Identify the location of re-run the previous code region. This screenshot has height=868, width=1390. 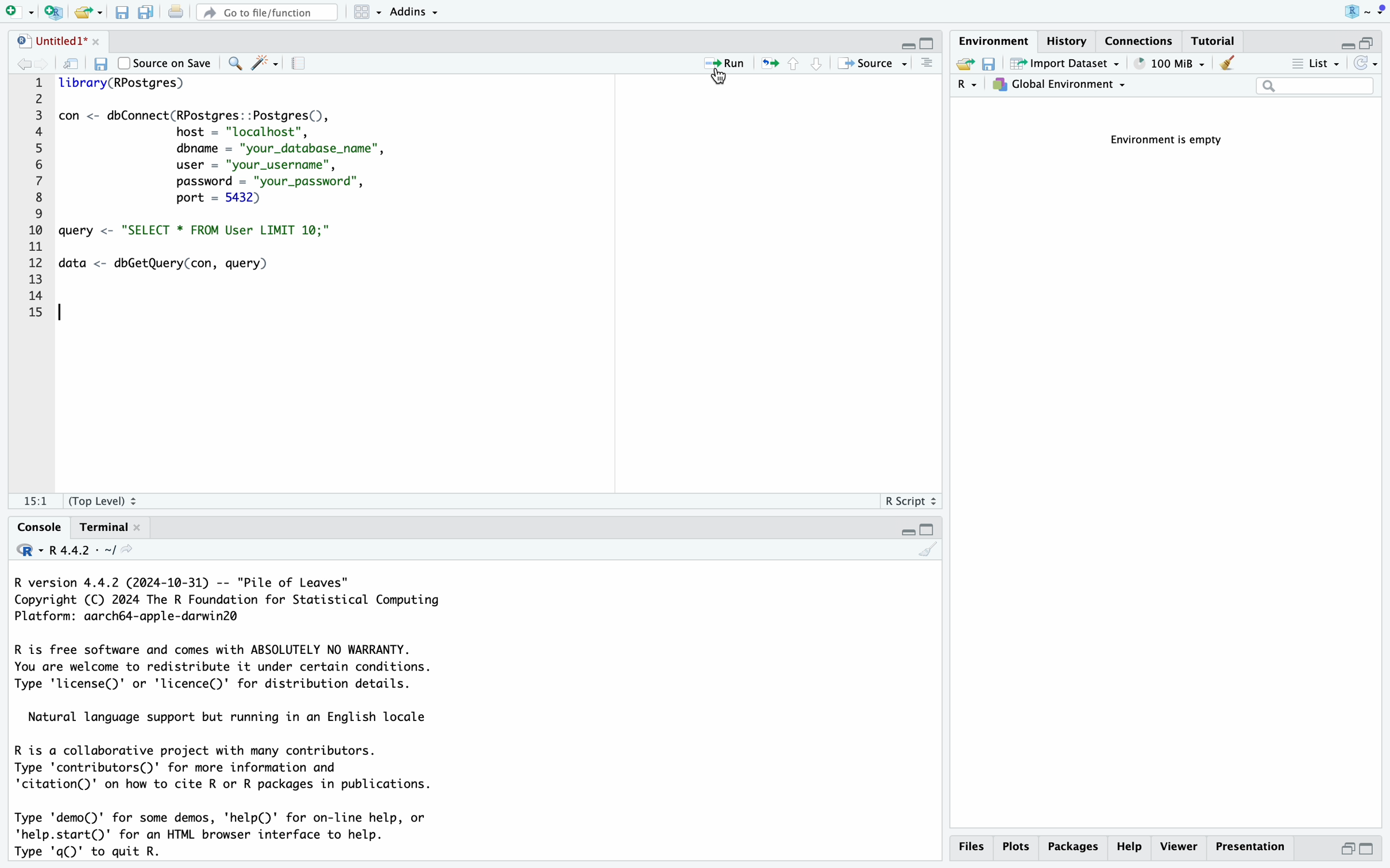
(767, 65).